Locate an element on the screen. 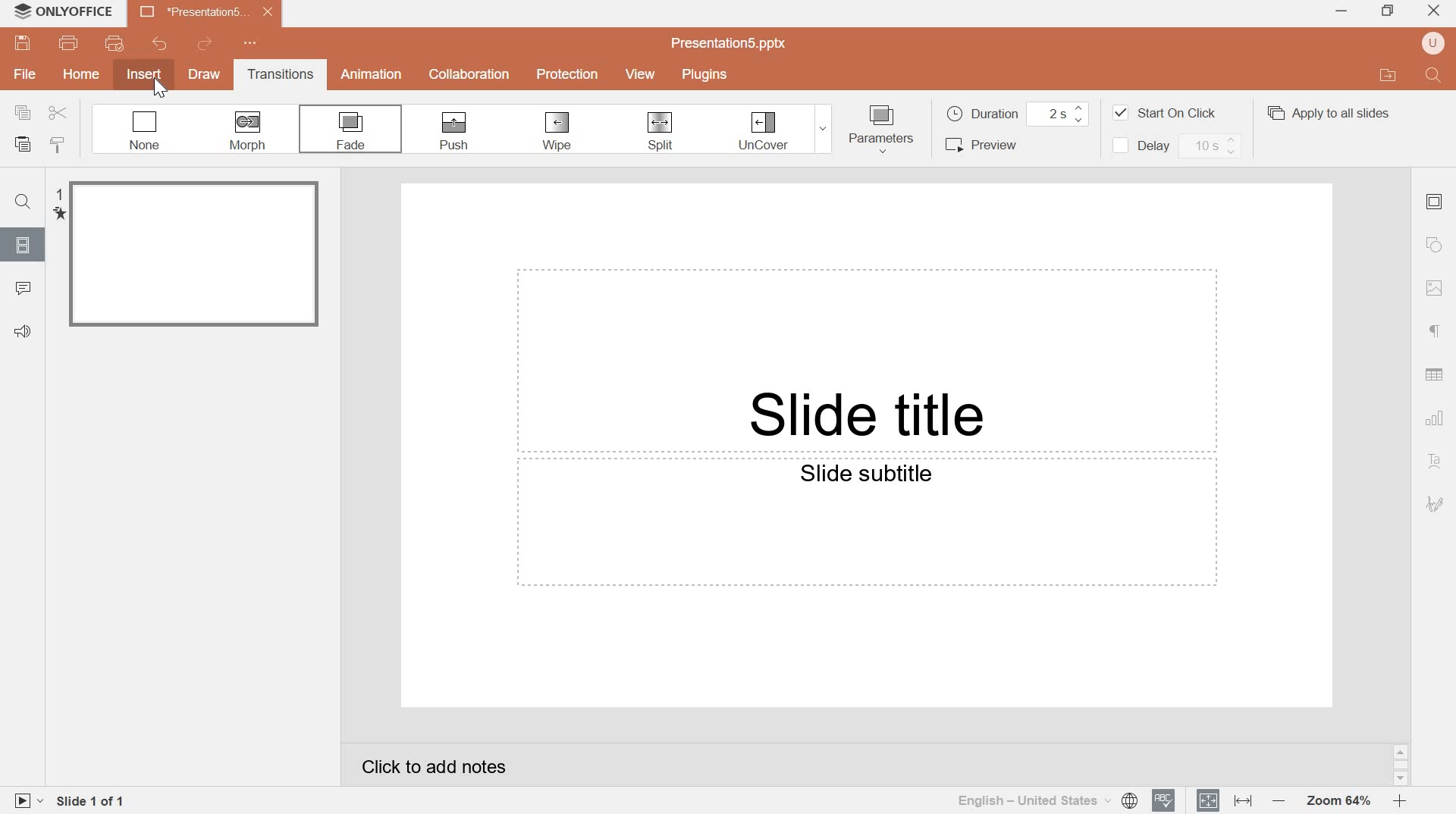 Image resolution: width=1456 pixels, height=814 pixels. Fit to slide is located at coordinates (1209, 799).